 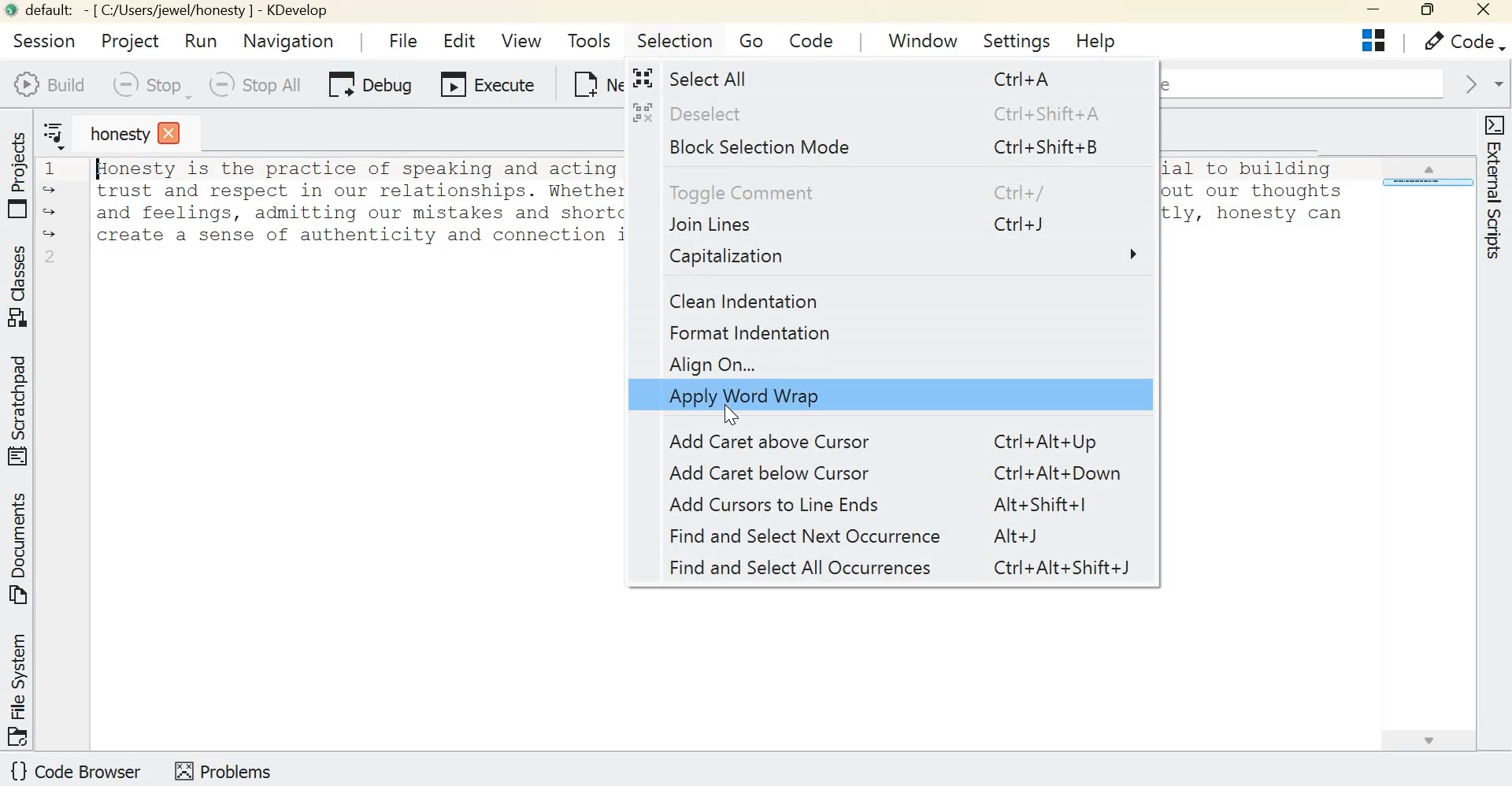 I want to click on Go, so click(x=752, y=43).